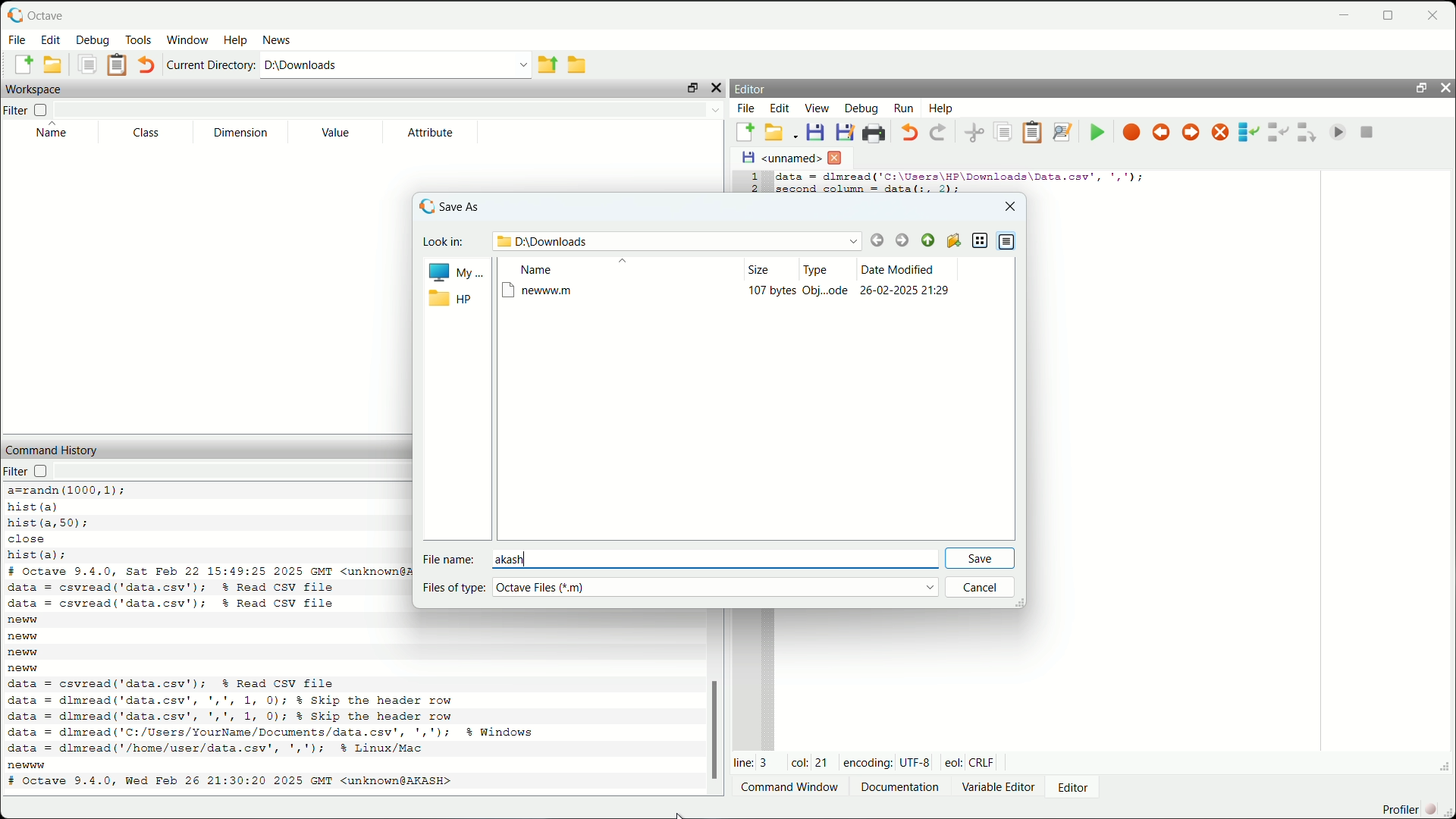 This screenshot has width=1456, height=819. Describe the element at coordinates (927, 238) in the screenshot. I see `parent directory` at that location.